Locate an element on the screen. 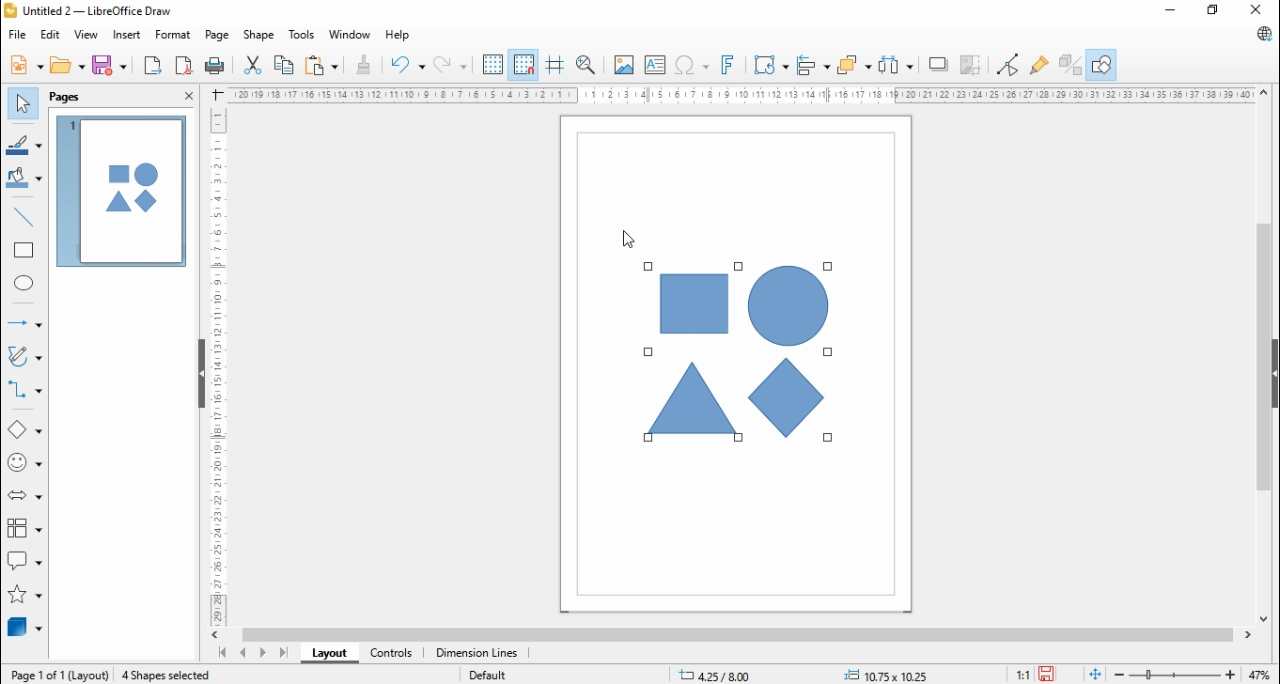 The width and height of the screenshot is (1280, 684). -0.17x-0.17 is located at coordinates (883, 674).